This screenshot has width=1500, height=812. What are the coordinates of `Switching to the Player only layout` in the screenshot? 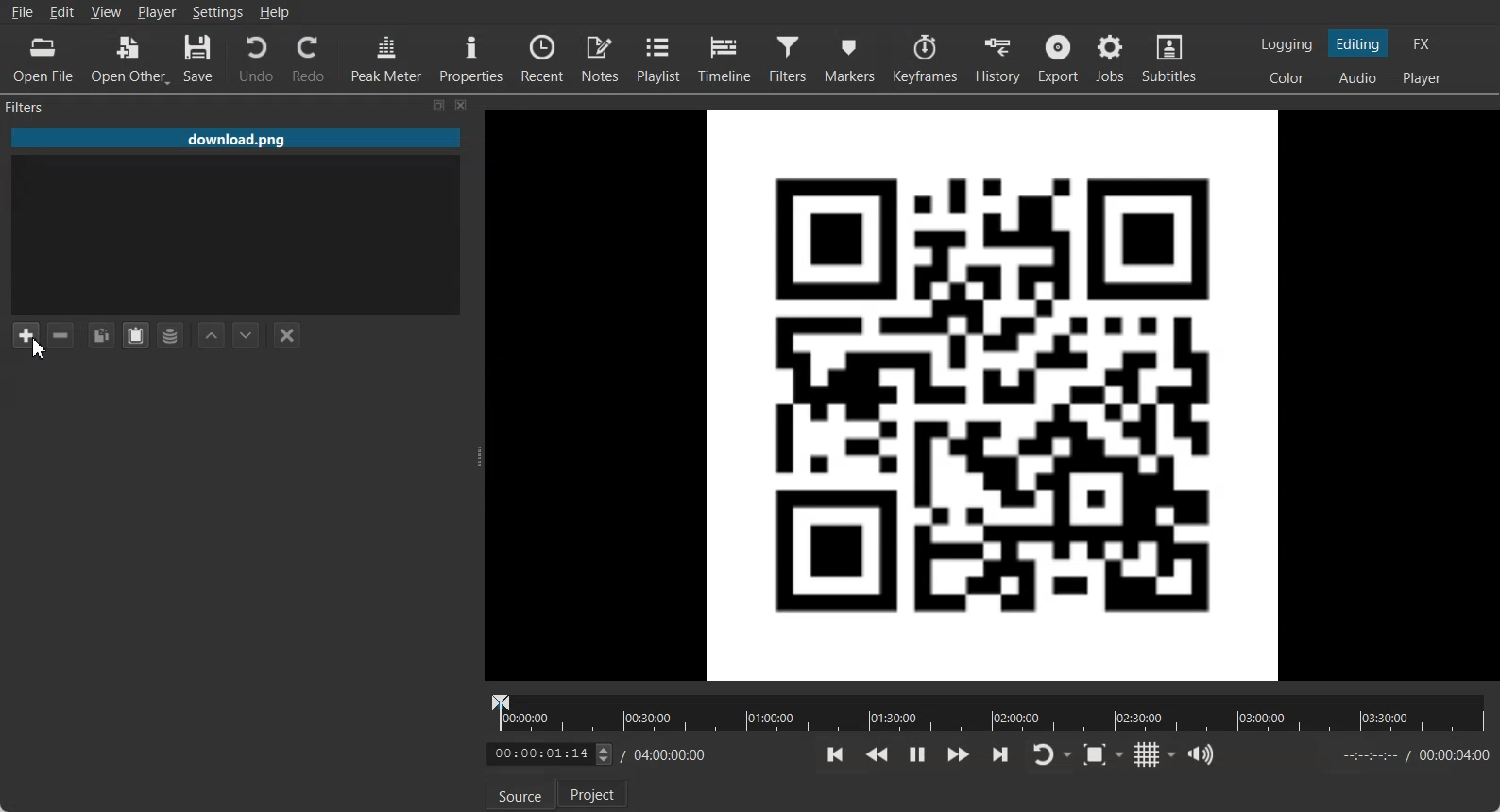 It's located at (1423, 78).